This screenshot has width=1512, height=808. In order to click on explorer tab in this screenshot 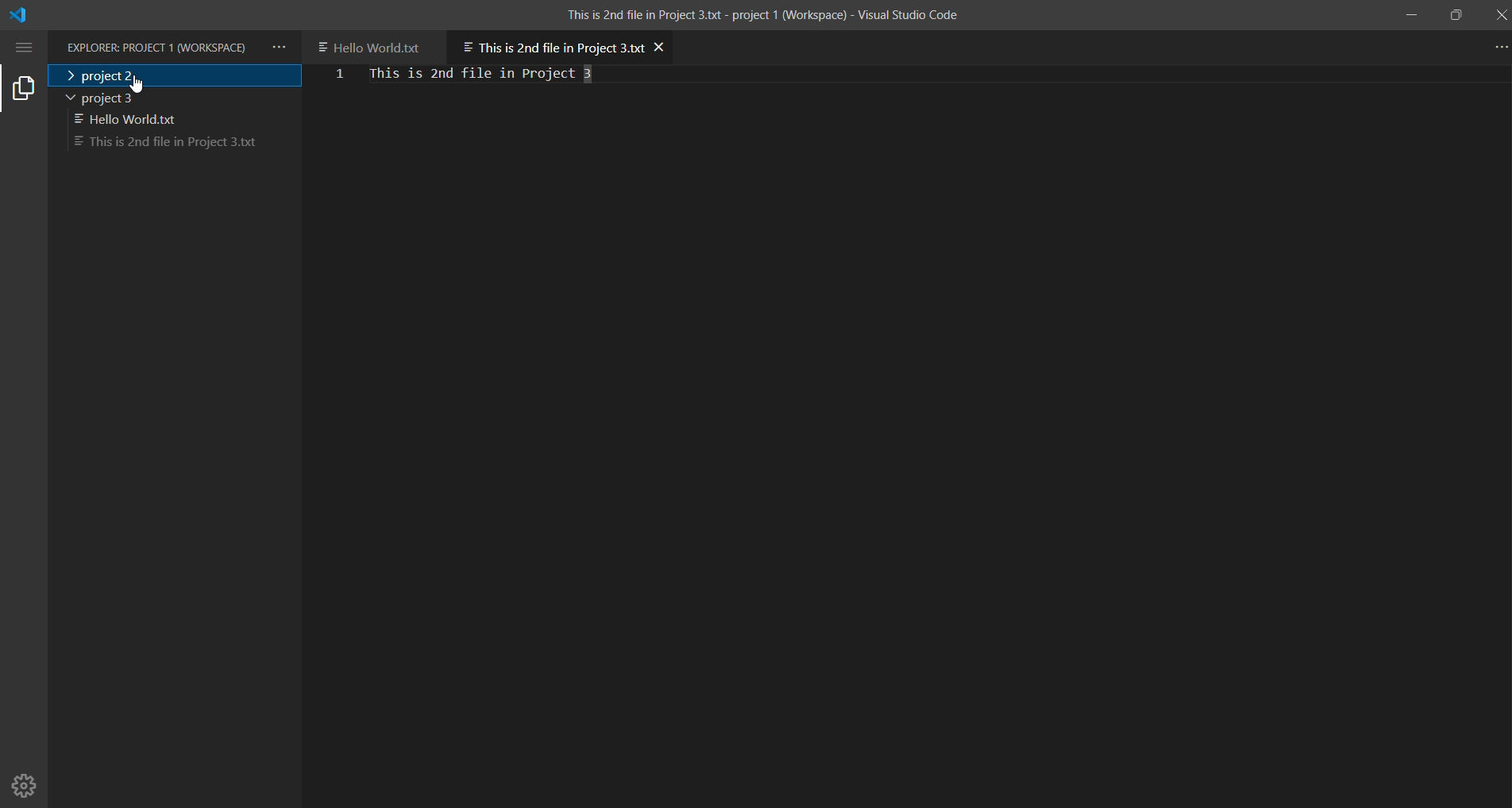, I will do `click(24, 87)`.